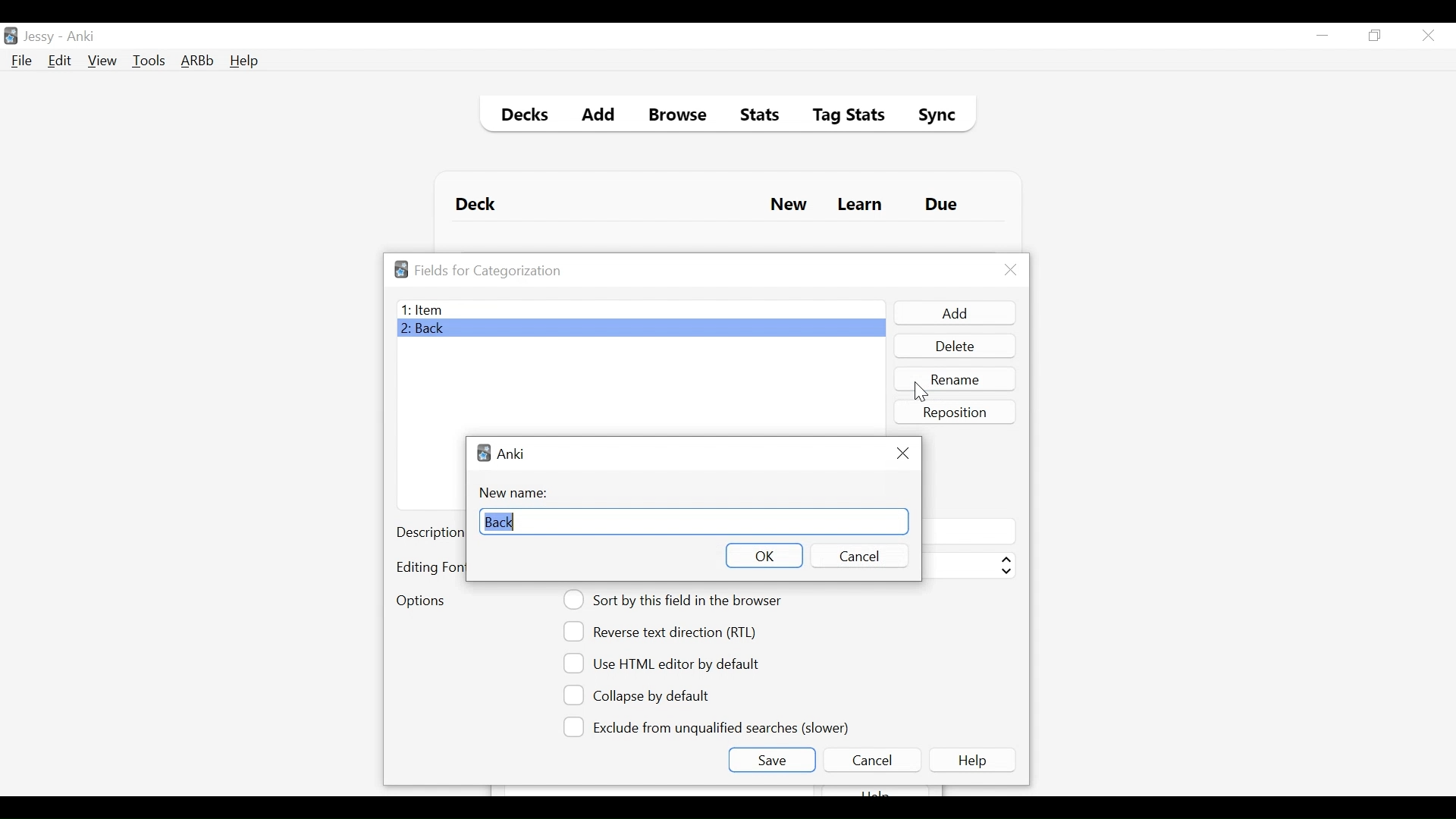 Image resolution: width=1456 pixels, height=819 pixels. I want to click on Close, so click(1011, 270).